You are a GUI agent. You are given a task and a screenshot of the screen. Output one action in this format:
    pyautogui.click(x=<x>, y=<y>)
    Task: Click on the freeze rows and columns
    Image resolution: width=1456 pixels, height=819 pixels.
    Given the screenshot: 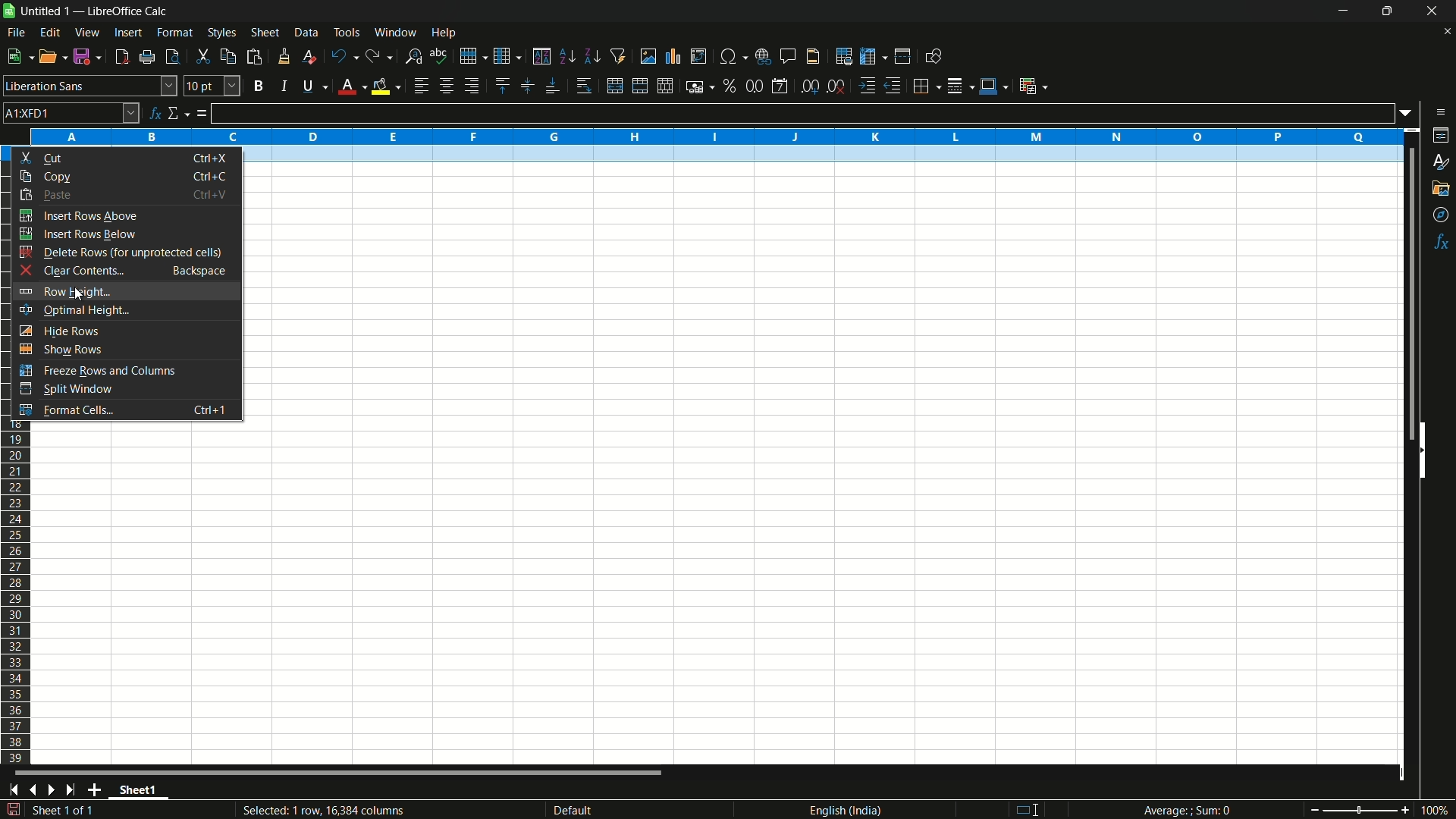 What is the action you would take?
    pyautogui.click(x=126, y=371)
    